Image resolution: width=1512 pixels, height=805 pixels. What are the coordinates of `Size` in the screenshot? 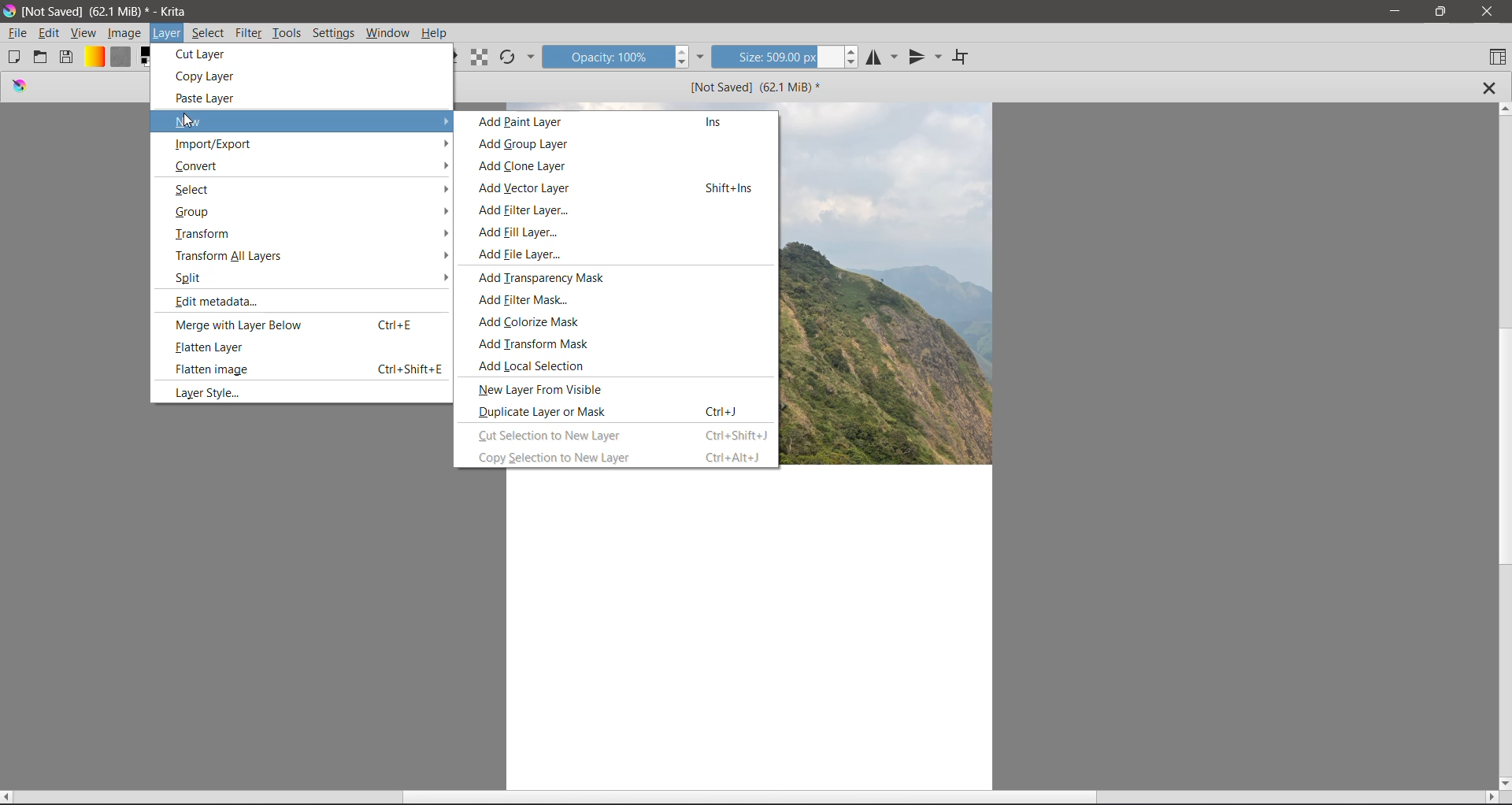 It's located at (776, 57).